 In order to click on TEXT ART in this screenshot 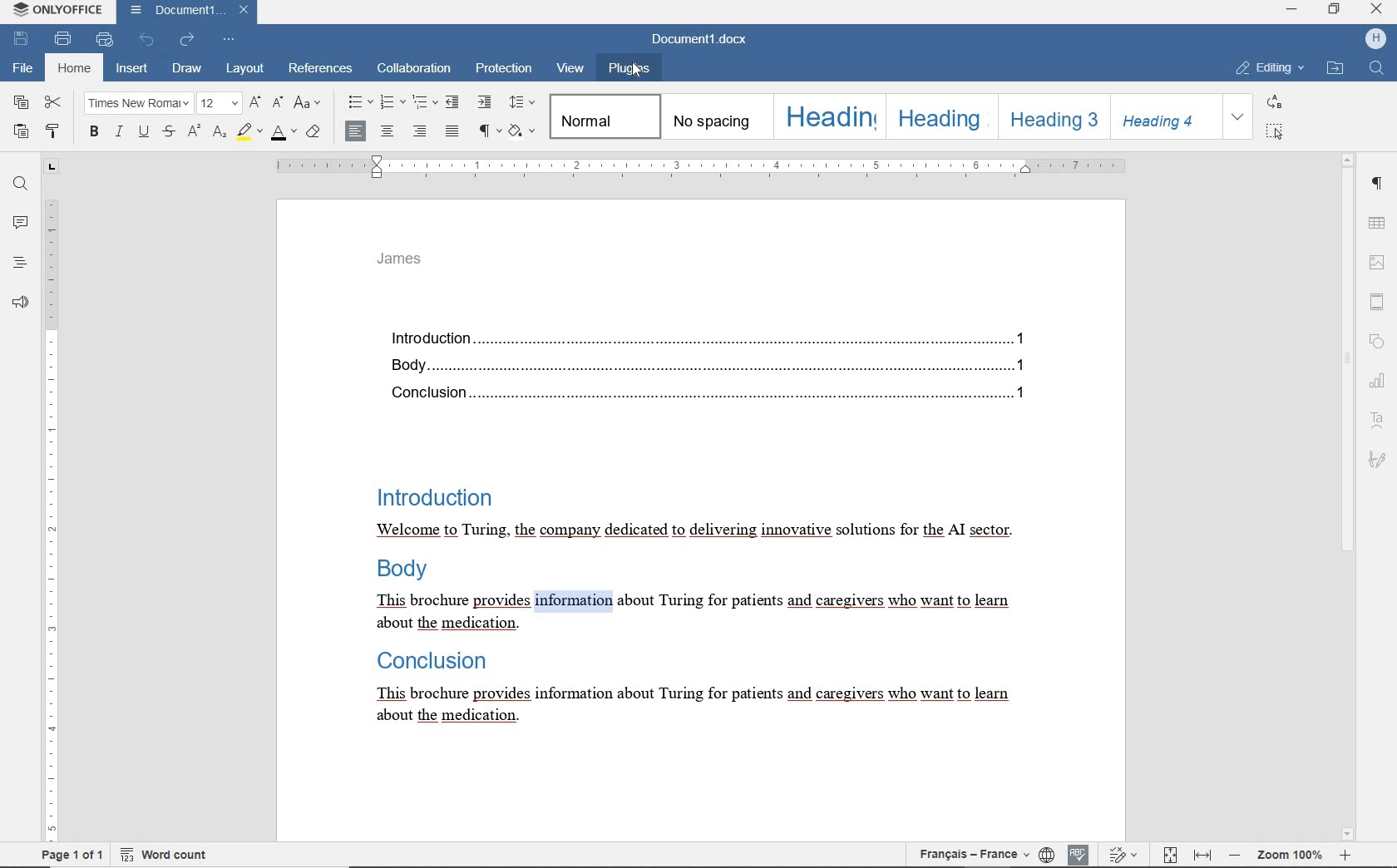, I will do `click(1379, 417)`.